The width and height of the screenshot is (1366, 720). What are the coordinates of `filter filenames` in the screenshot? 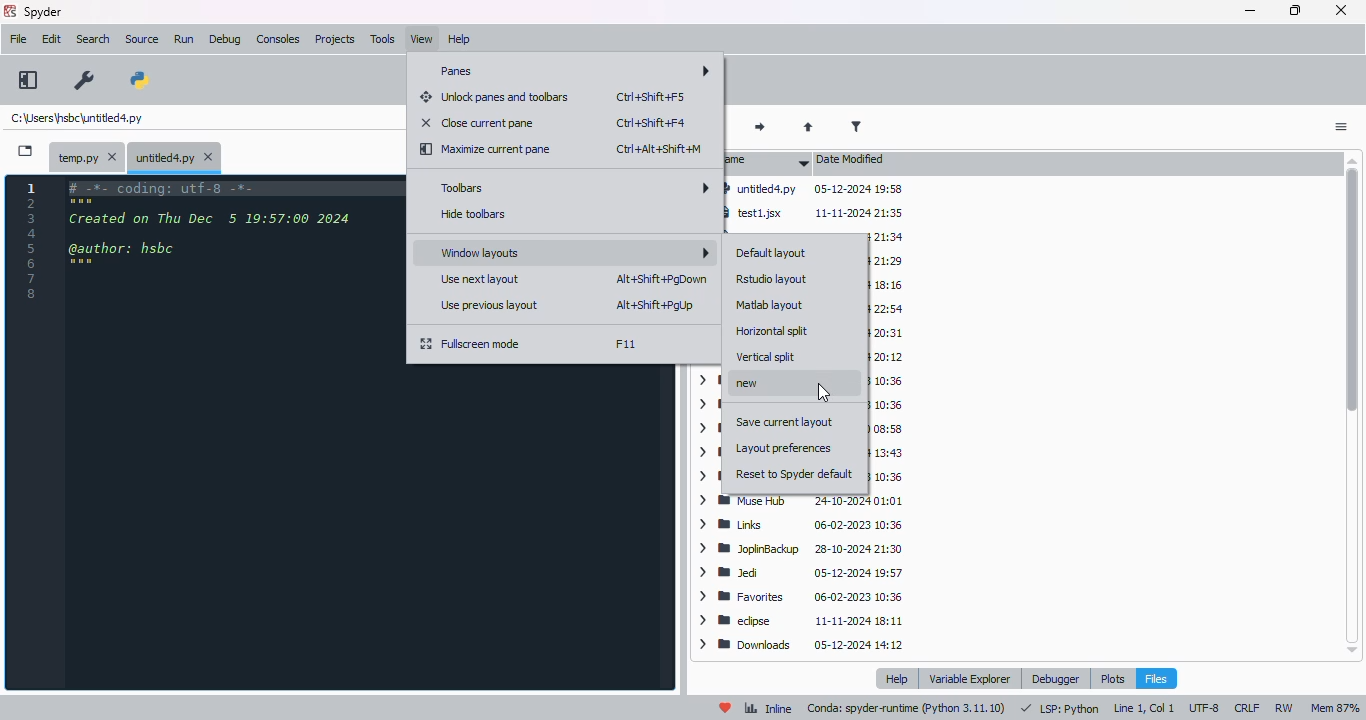 It's located at (856, 126).